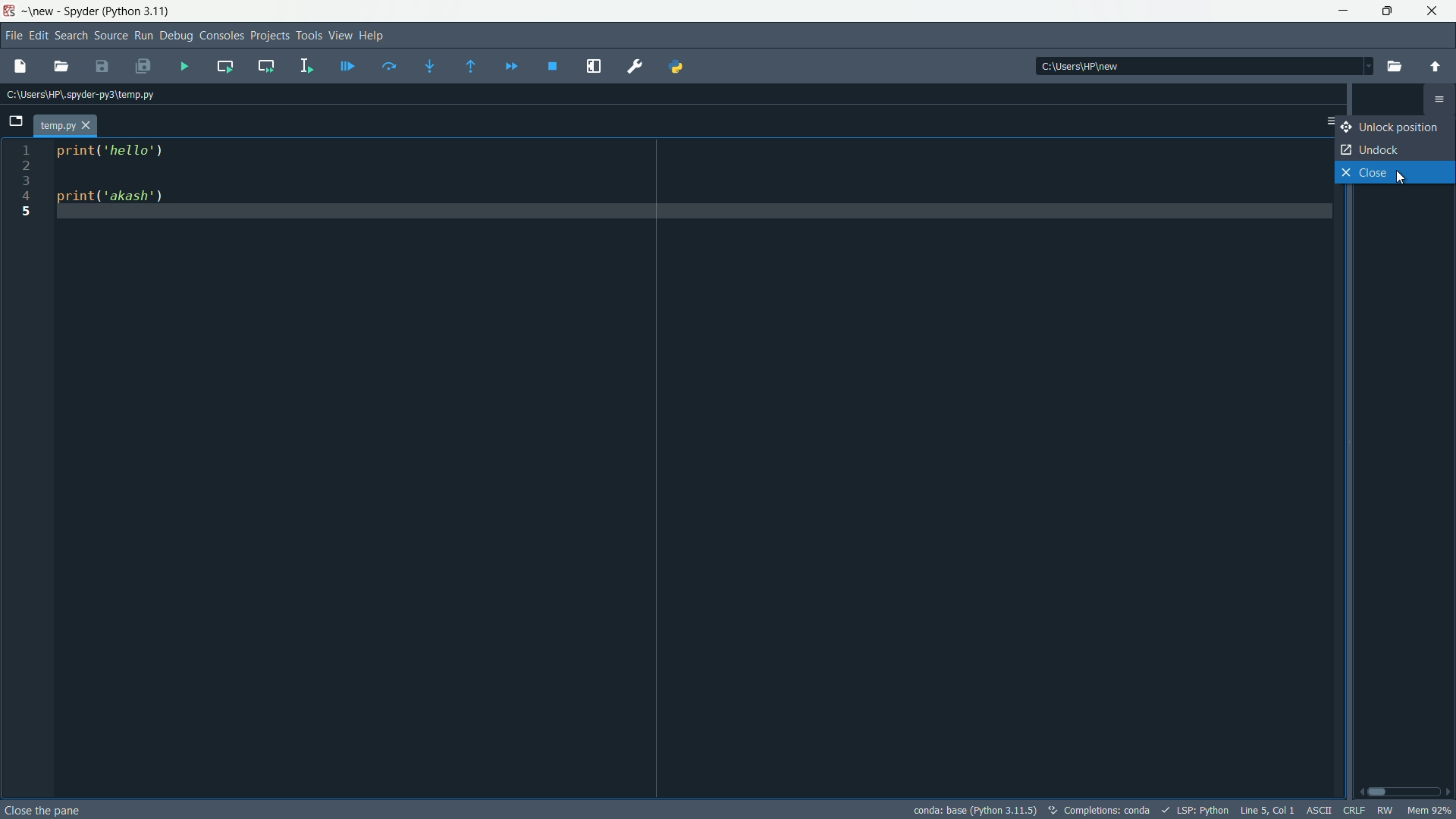  What do you see at coordinates (60, 67) in the screenshot?
I see `open file` at bounding box center [60, 67].